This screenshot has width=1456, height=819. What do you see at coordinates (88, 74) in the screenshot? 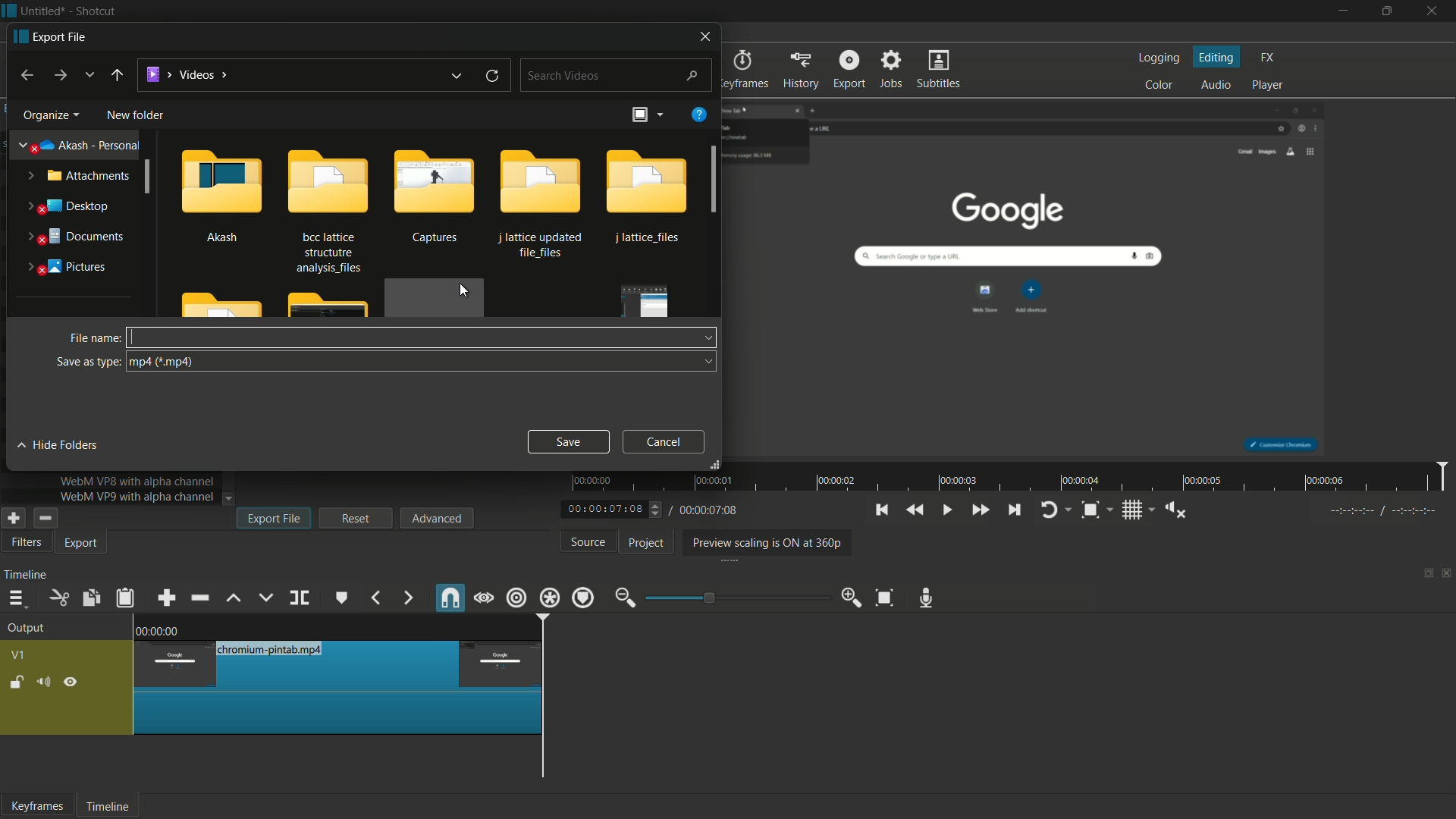
I see `recent locations` at bounding box center [88, 74].